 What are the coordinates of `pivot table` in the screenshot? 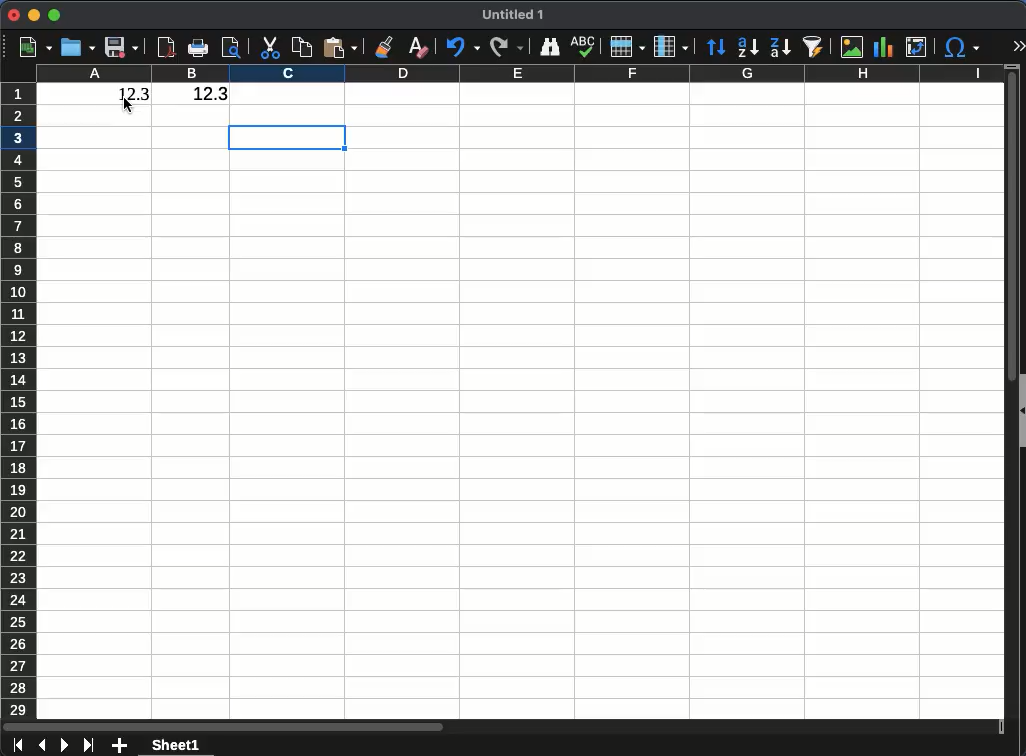 It's located at (916, 48).